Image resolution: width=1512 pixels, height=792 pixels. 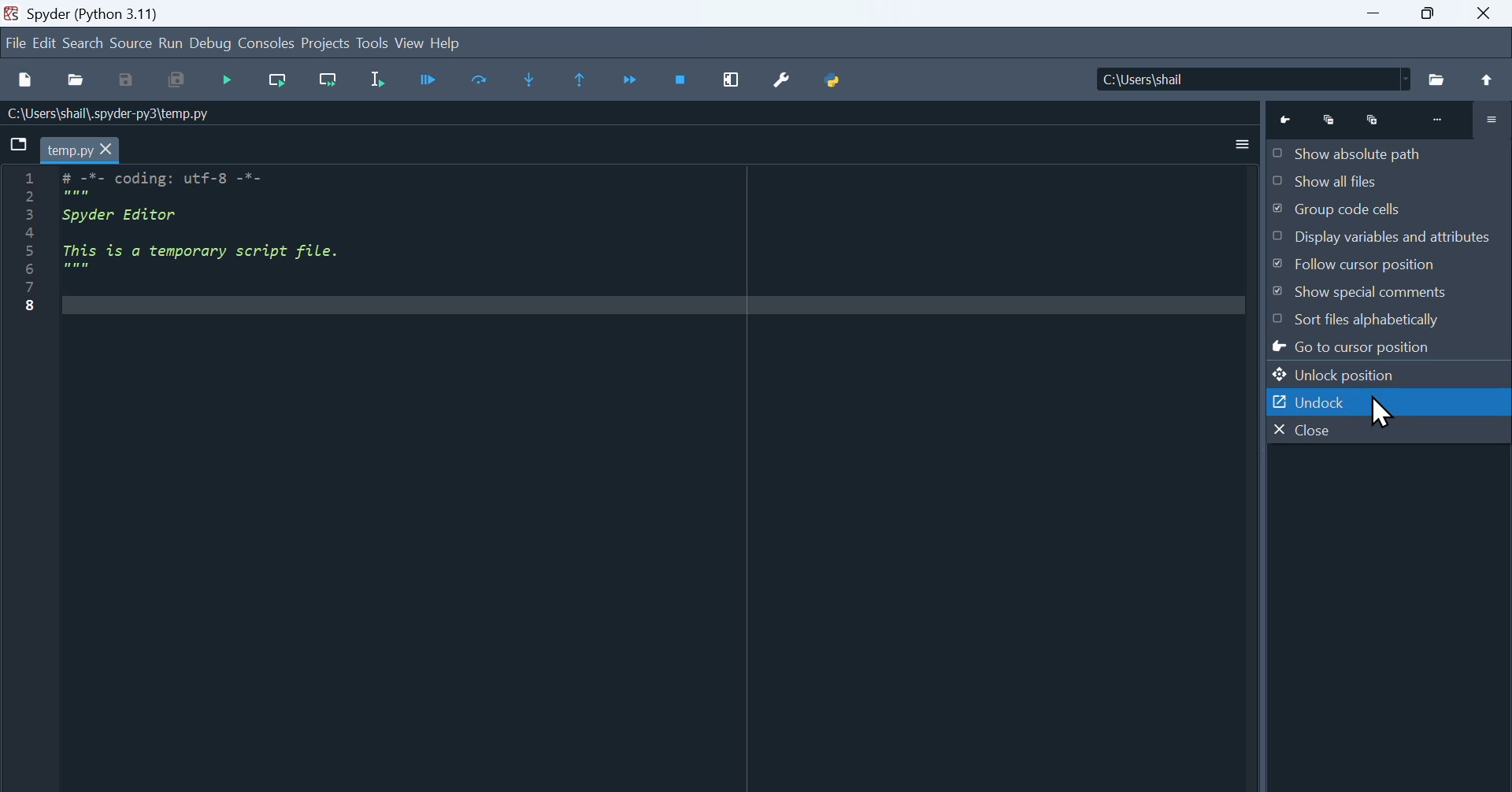 I want to click on Stop debugging, so click(x=680, y=80).